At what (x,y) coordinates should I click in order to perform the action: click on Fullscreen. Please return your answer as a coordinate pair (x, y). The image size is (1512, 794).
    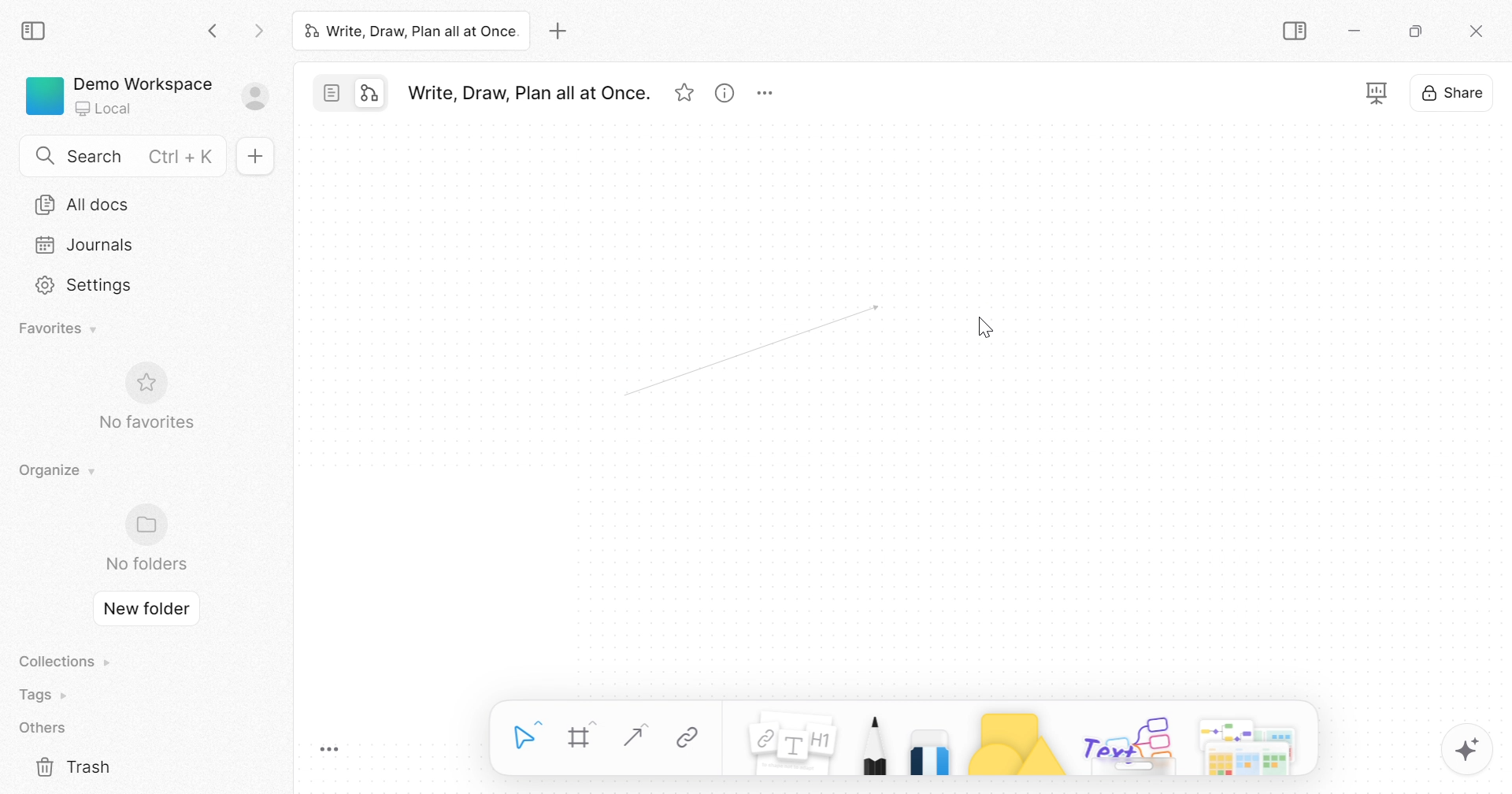
    Looking at the image, I should click on (1377, 93).